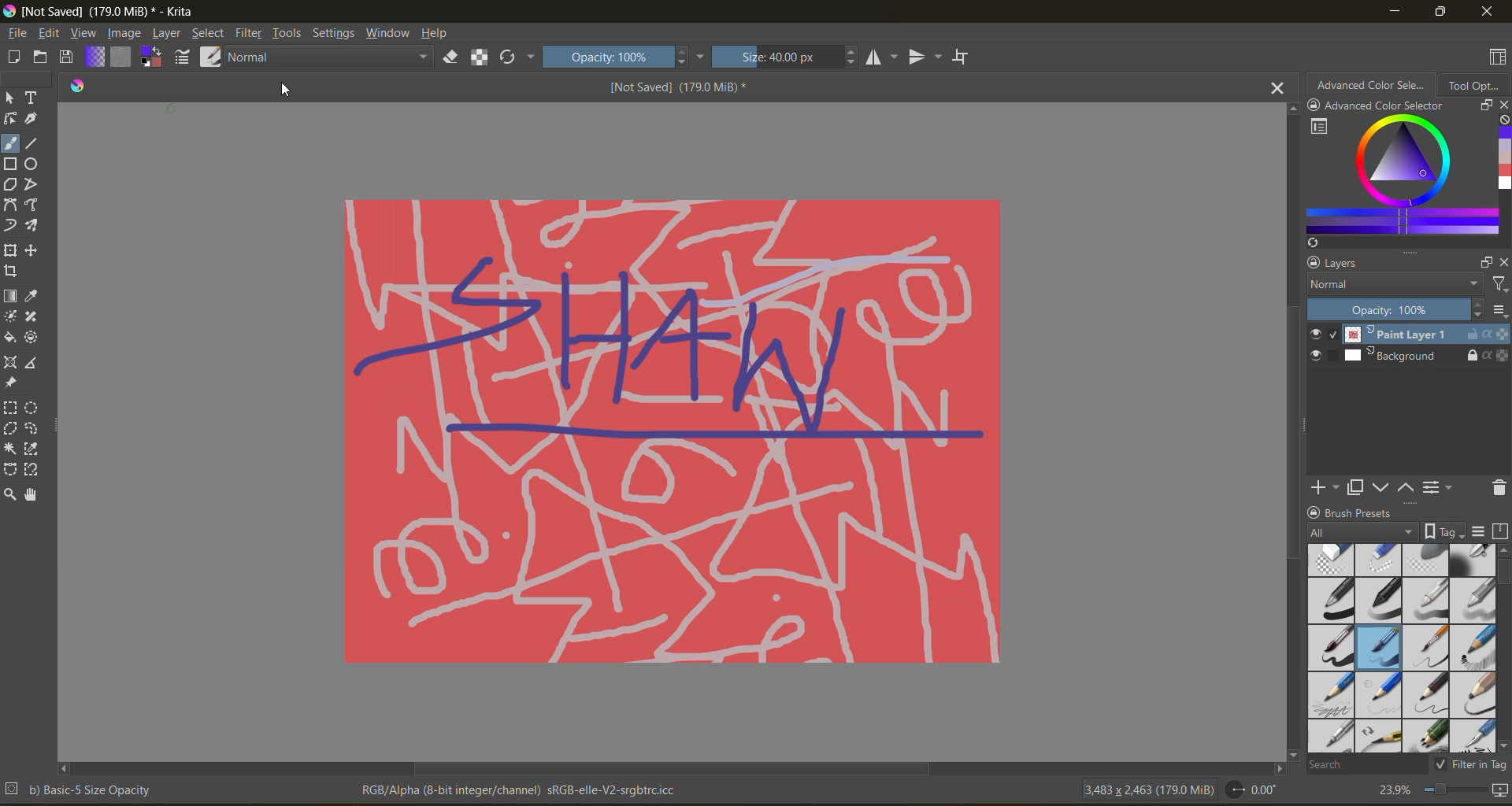 This screenshot has width=1512, height=806. What do you see at coordinates (10, 184) in the screenshot?
I see `polygon tool` at bounding box center [10, 184].